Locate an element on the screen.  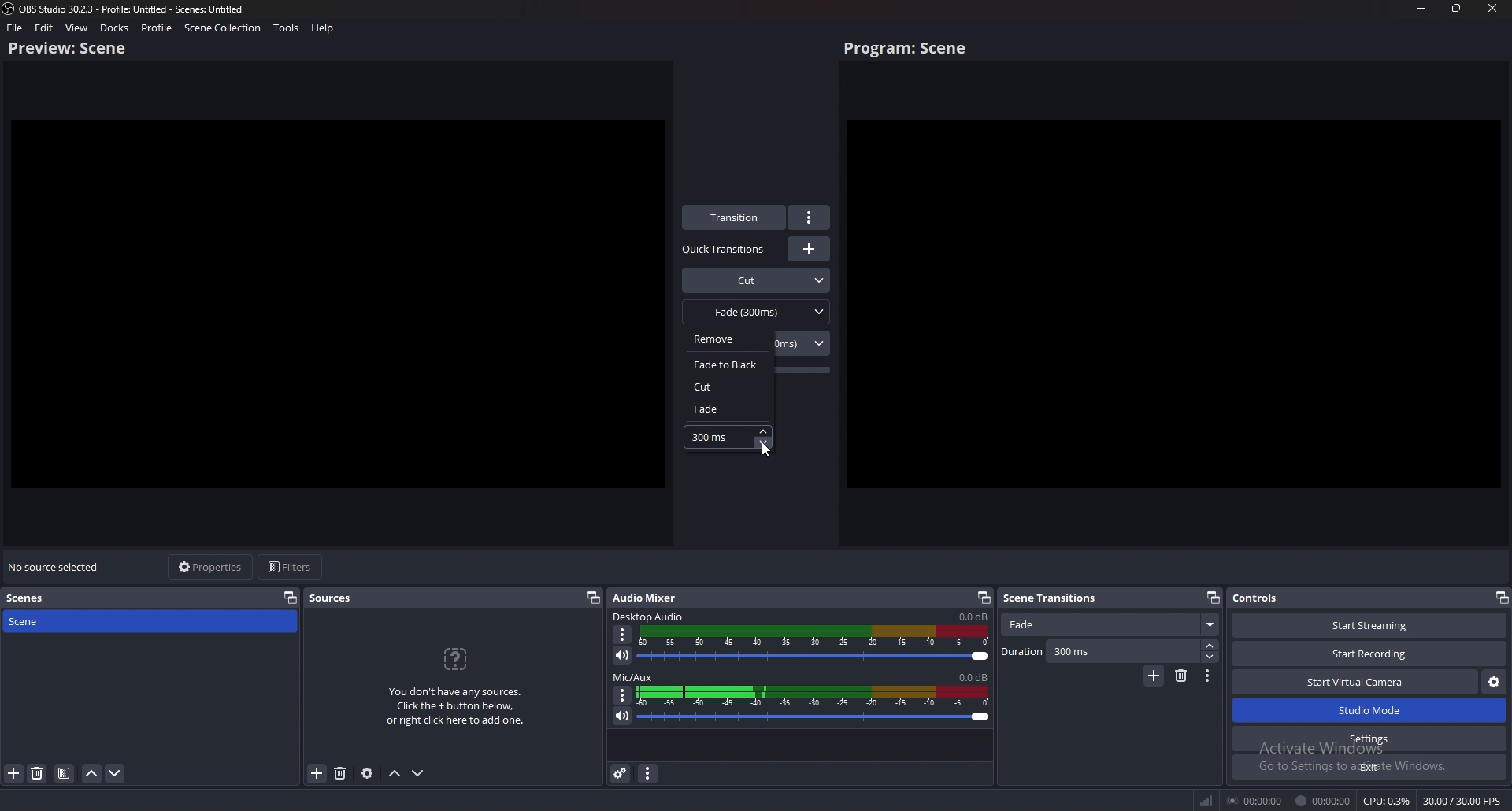
Controls is located at coordinates (1279, 598).